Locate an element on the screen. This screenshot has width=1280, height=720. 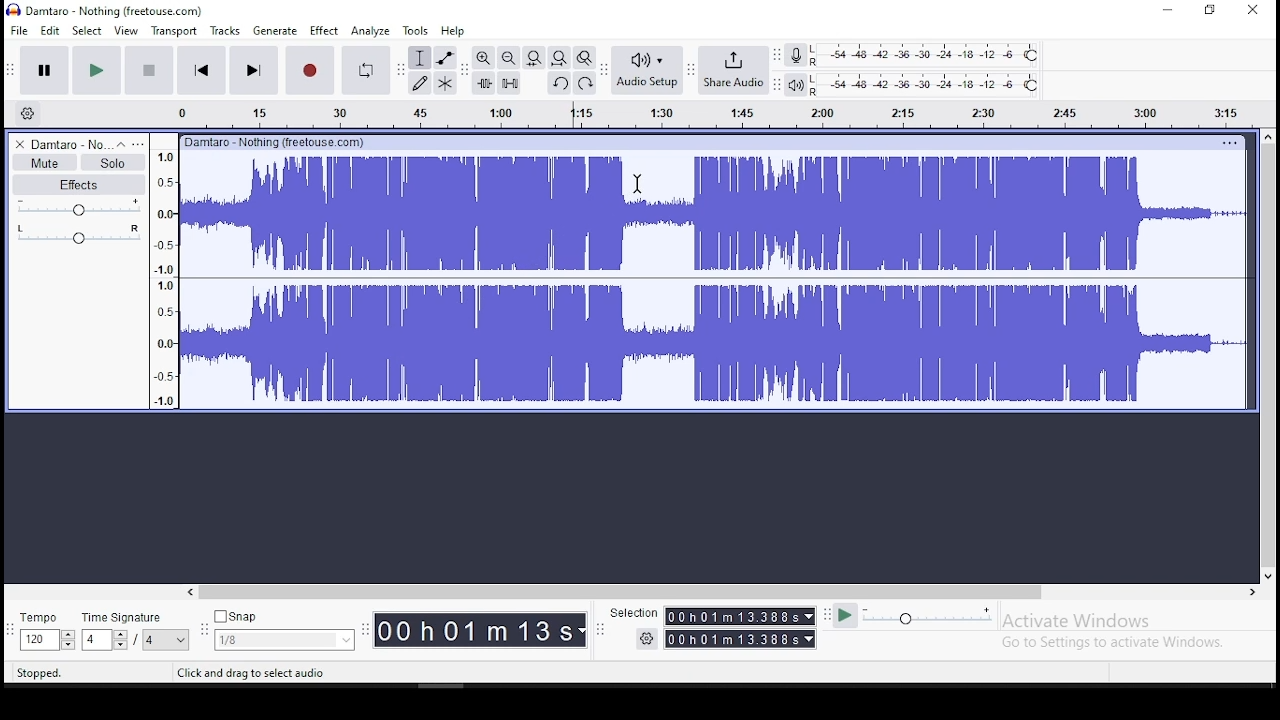
toggle buttons is located at coordinates (105, 640).